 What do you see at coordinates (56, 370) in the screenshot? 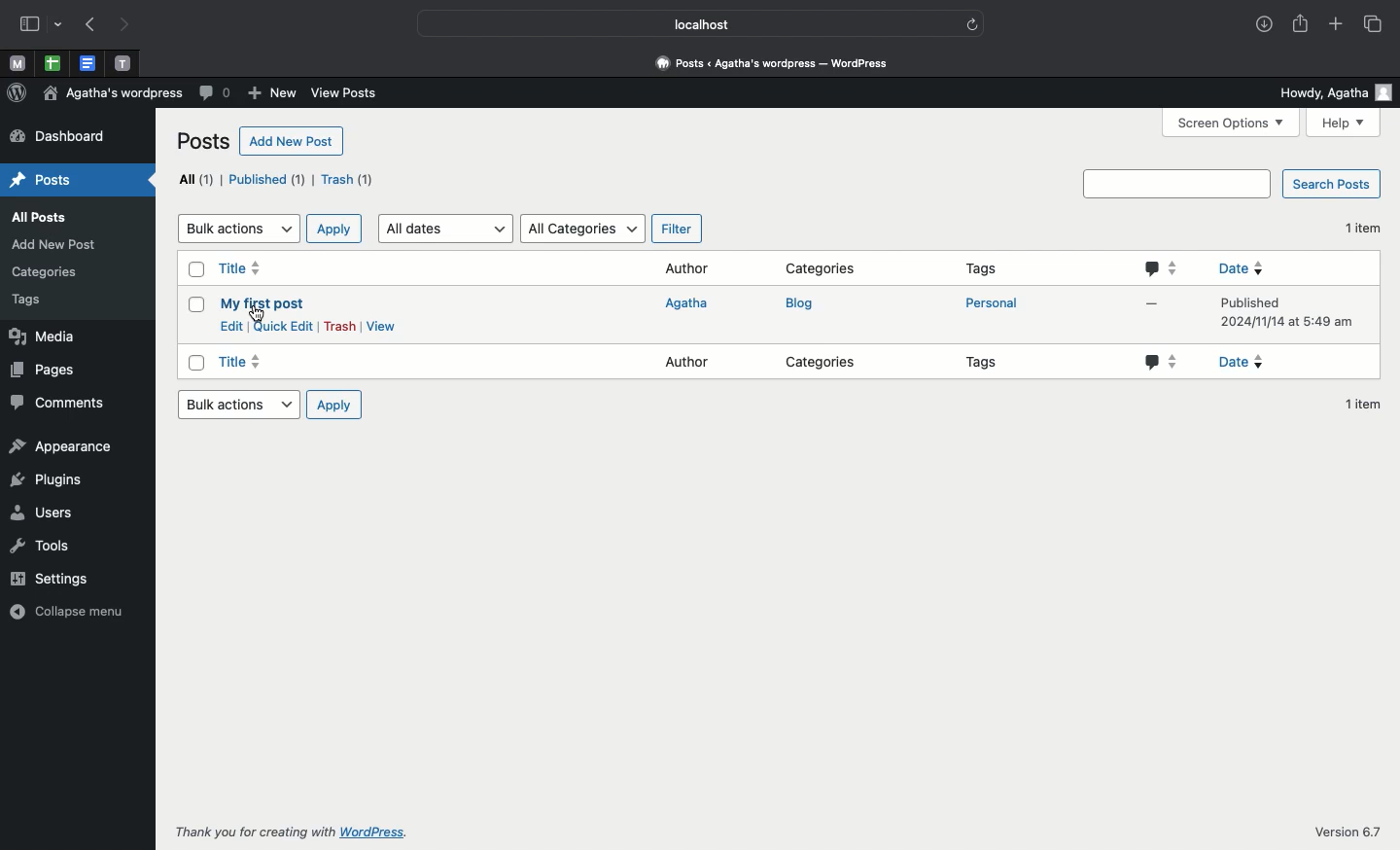
I see `Pages` at bounding box center [56, 370].